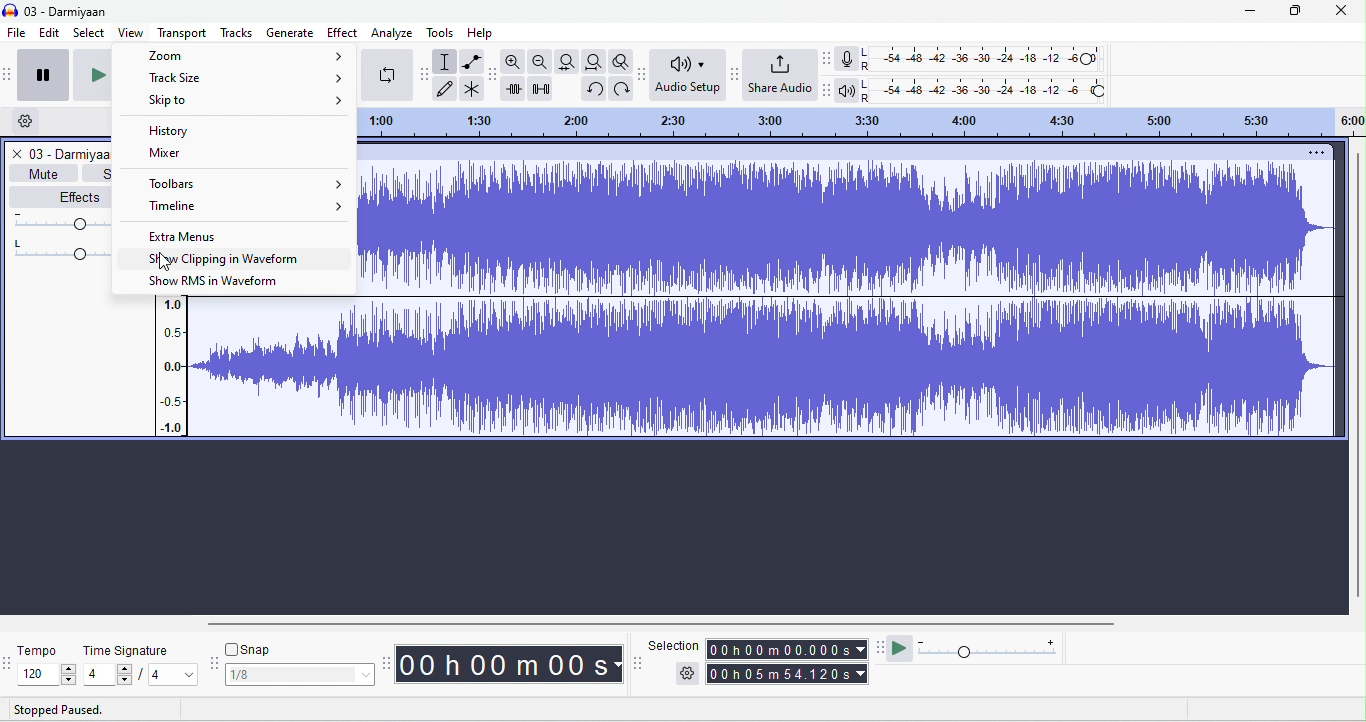  Describe the element at coordinates (472, 90) in the screenshot. I see `multi tool` at that location.